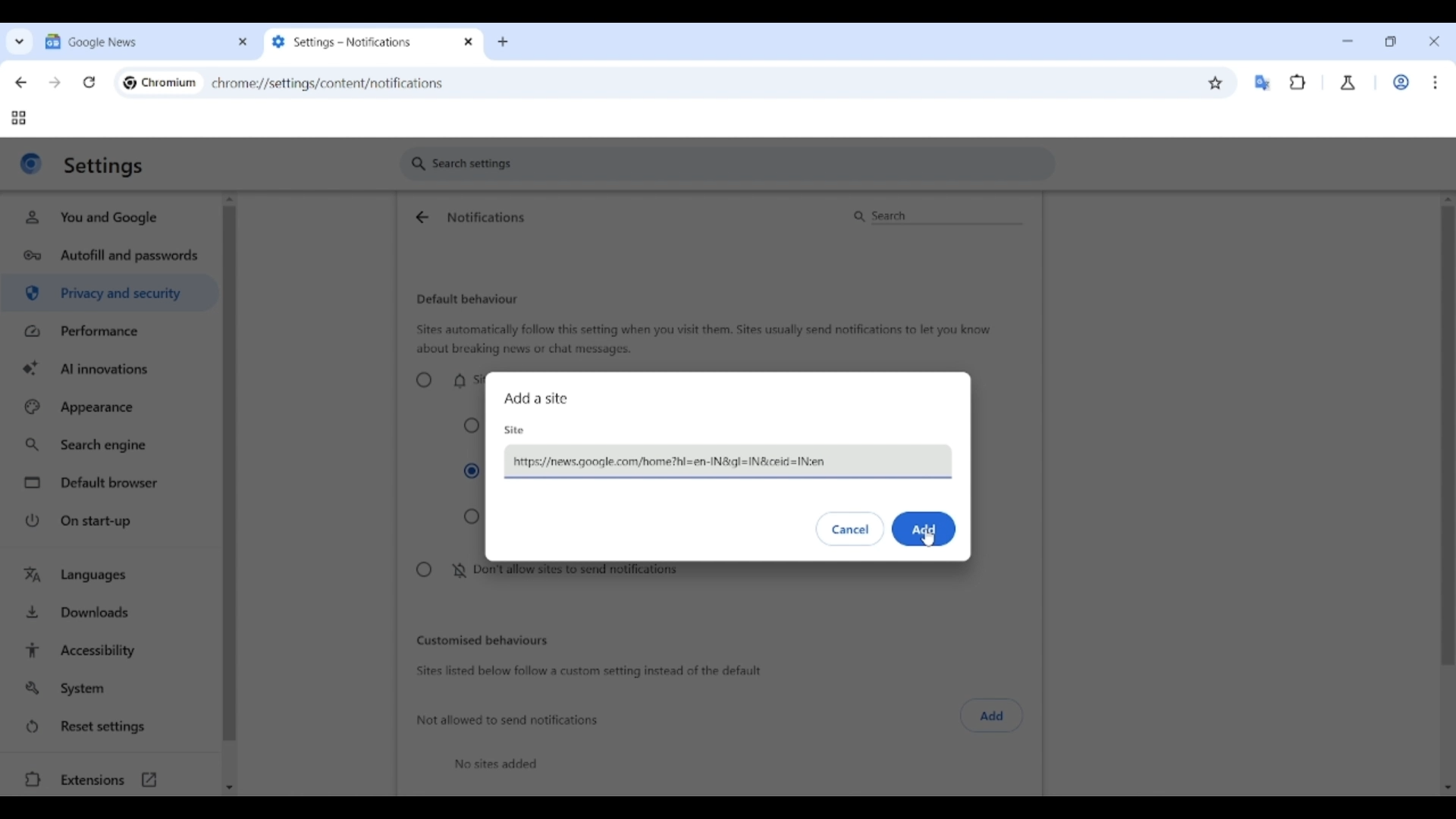  I want to click on Search Google or enter web link, so click(815, 83).